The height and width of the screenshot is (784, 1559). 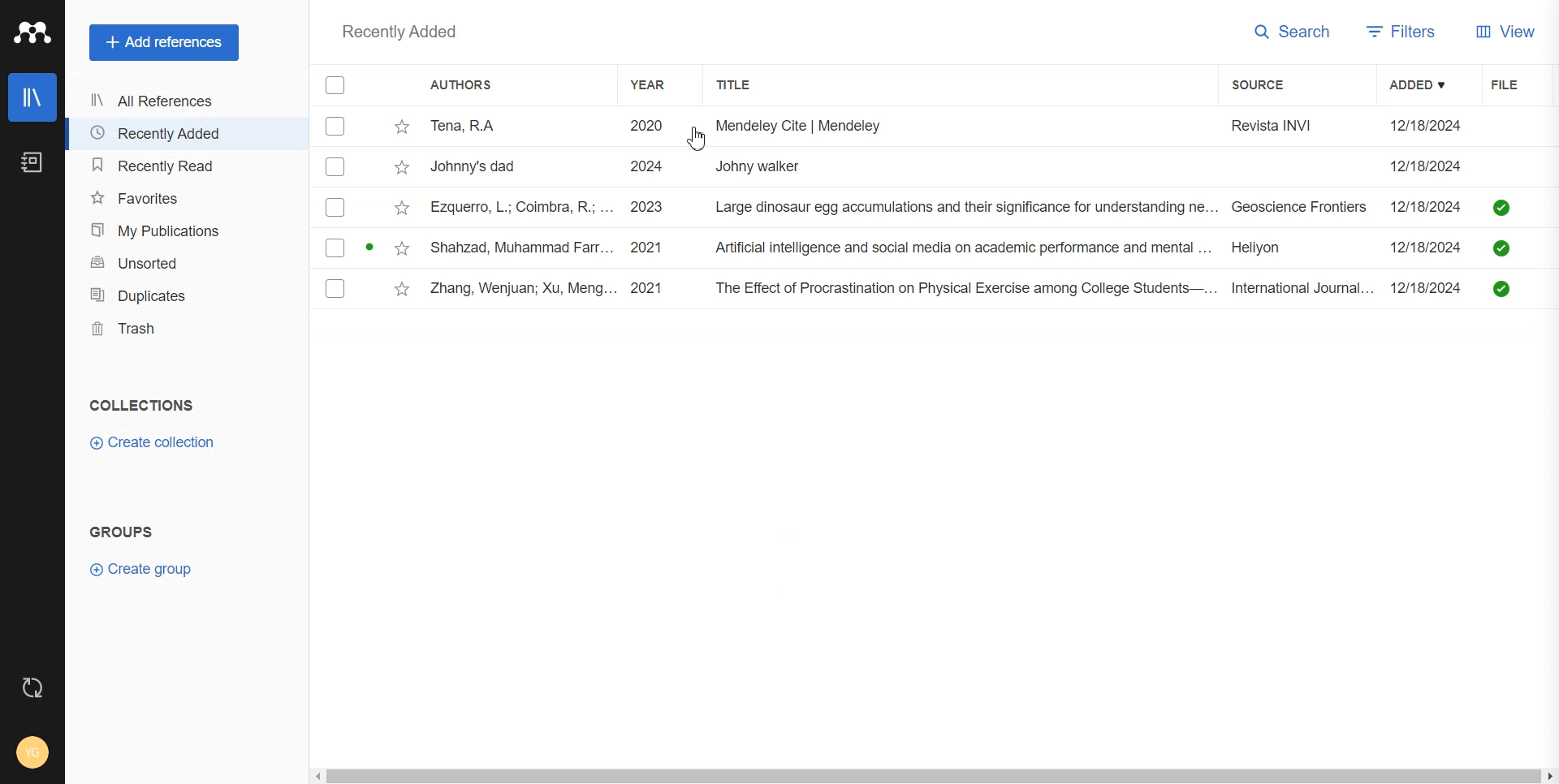 What do you see at coordinates (153, 443) in the screenshot?
I see `Create Collection` at bounding box center [153, 443].